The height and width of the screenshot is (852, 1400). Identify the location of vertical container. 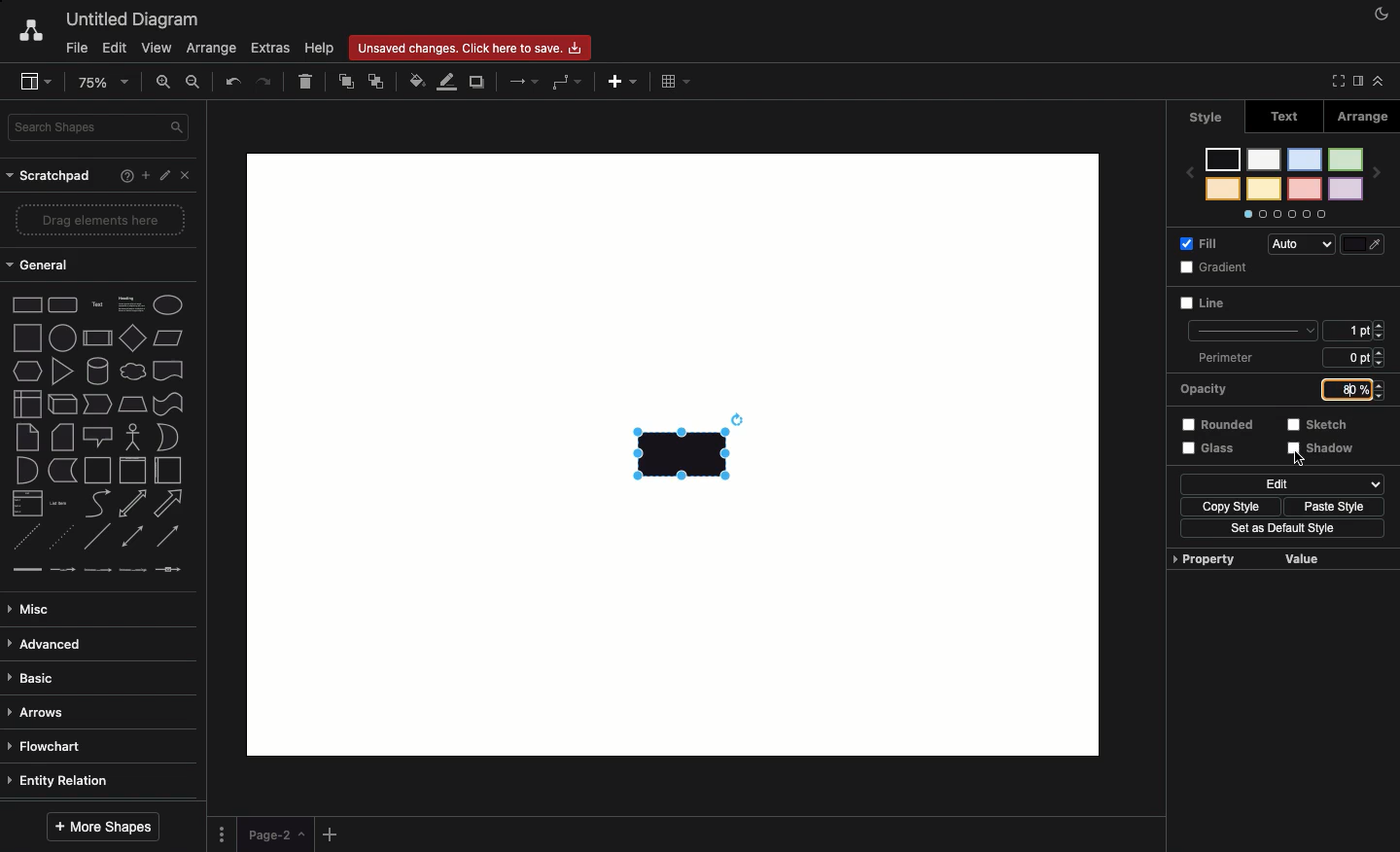
(131, 472).